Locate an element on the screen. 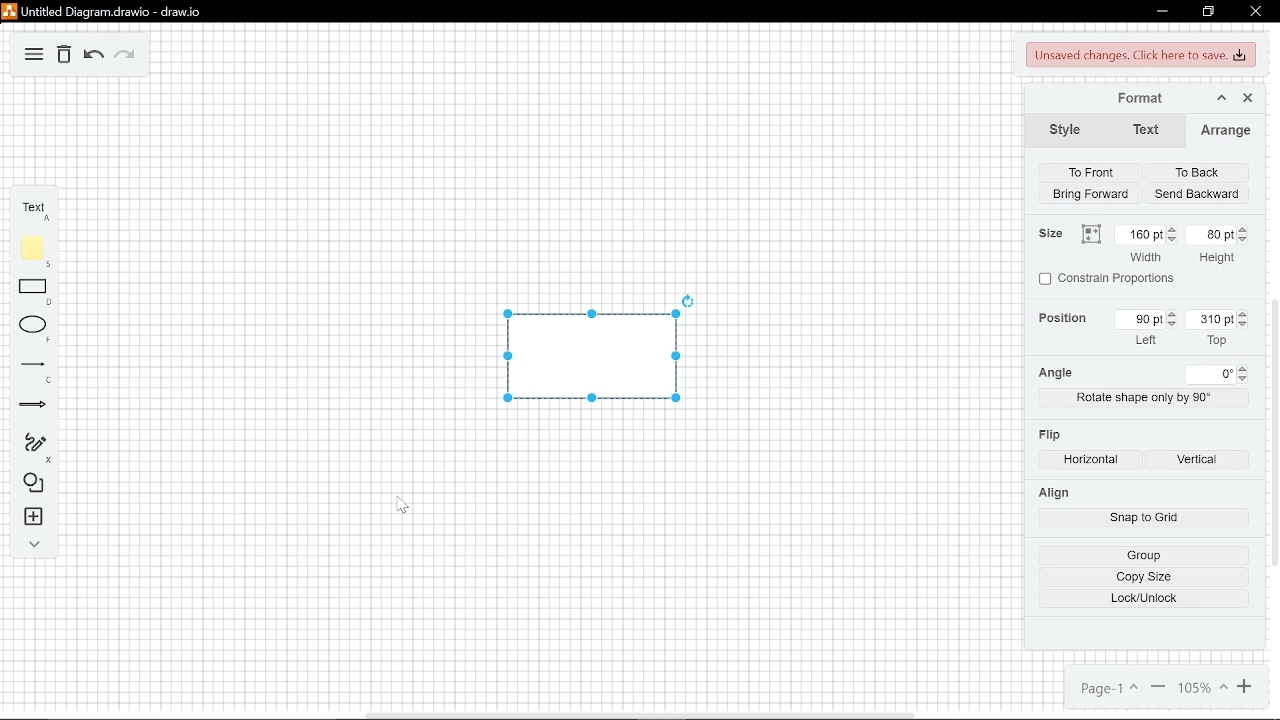 This screenshot has width=1280, height=720. increase width is located at coordinates (1174, 228).